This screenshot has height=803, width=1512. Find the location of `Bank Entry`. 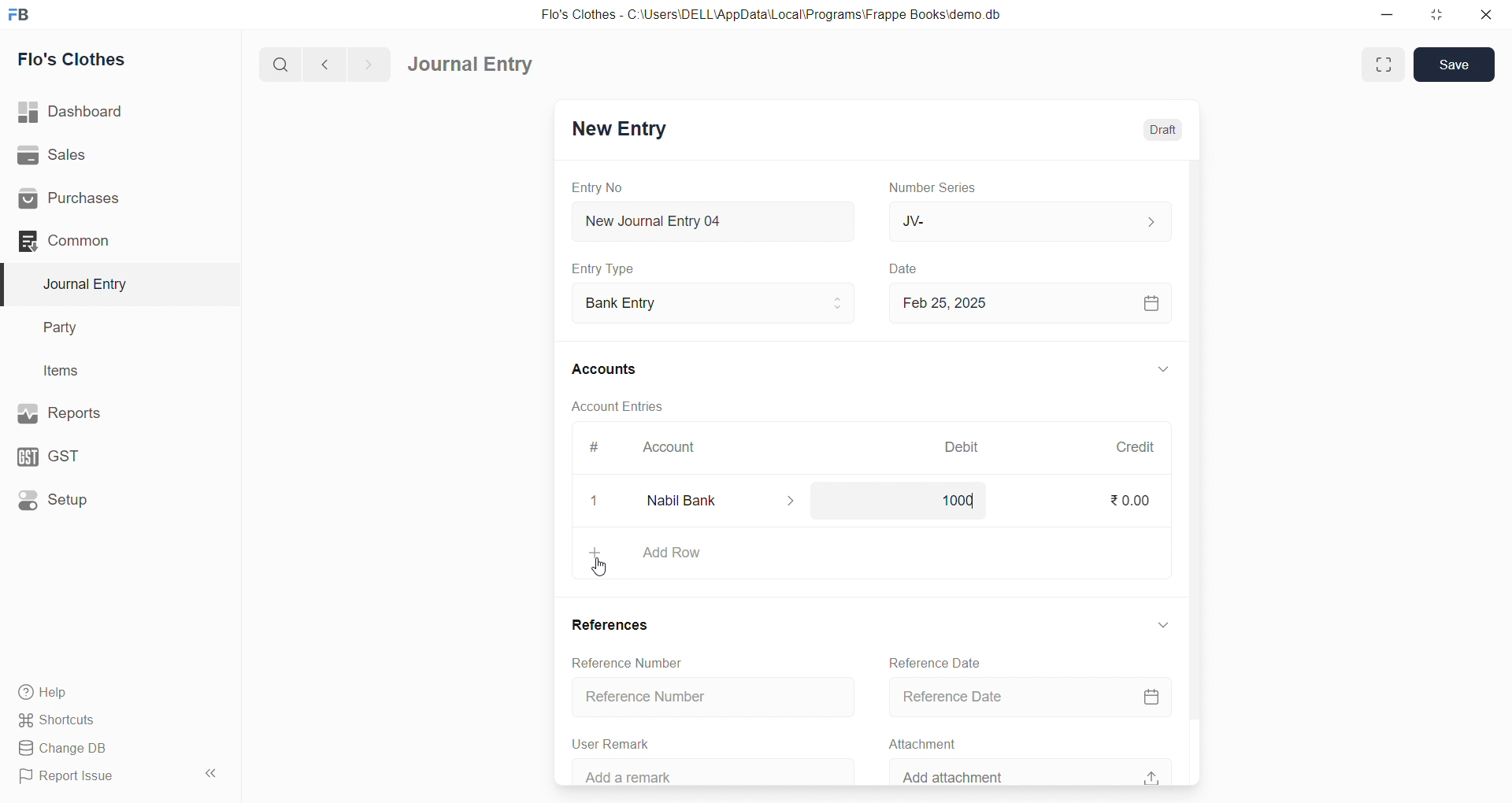

Bank Entry is located at coordinates (712, 304).